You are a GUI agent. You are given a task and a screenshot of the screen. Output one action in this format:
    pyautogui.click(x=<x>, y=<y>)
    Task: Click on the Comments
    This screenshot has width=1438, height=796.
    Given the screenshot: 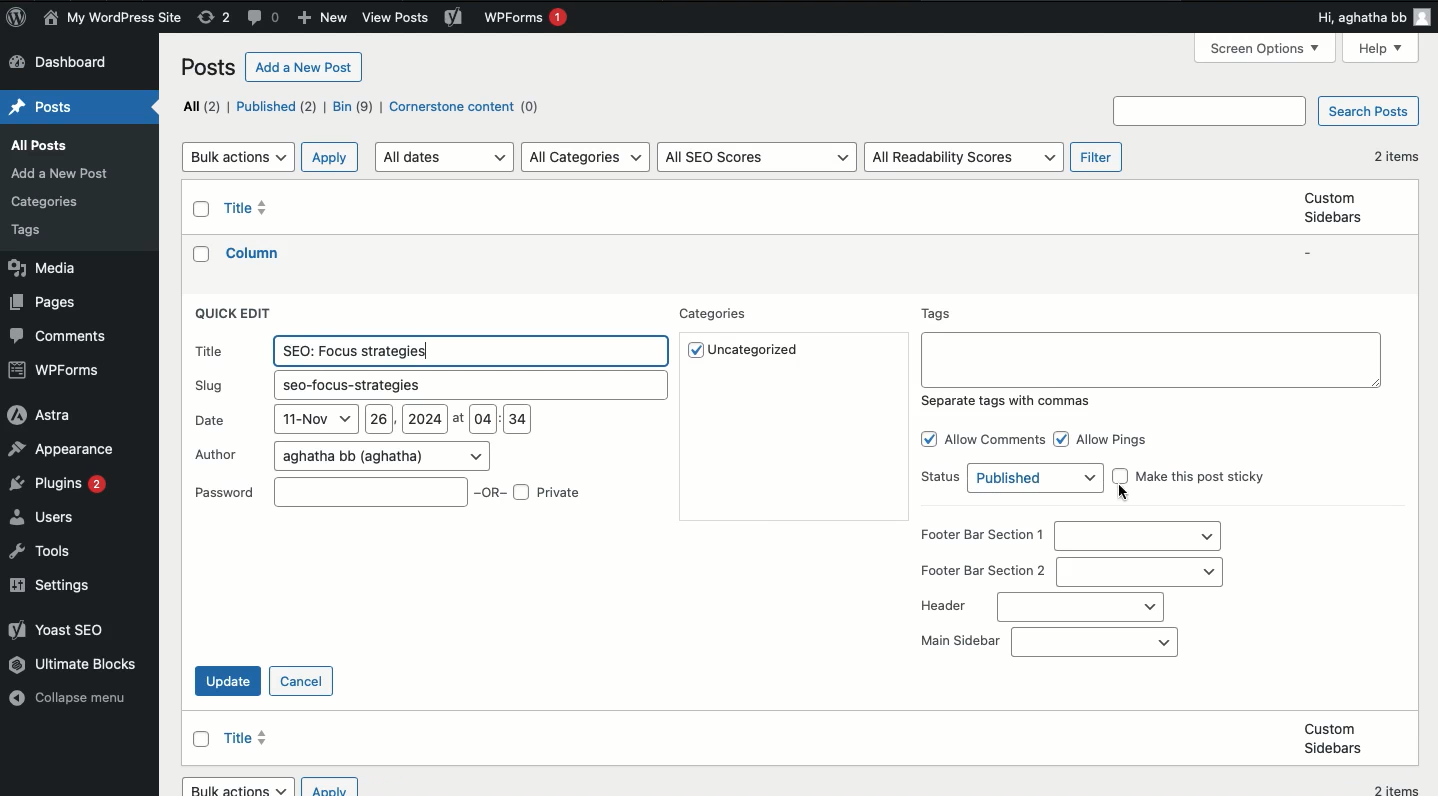 What is the action you would take?
    pyautogui.click(x=266, y=19)
    